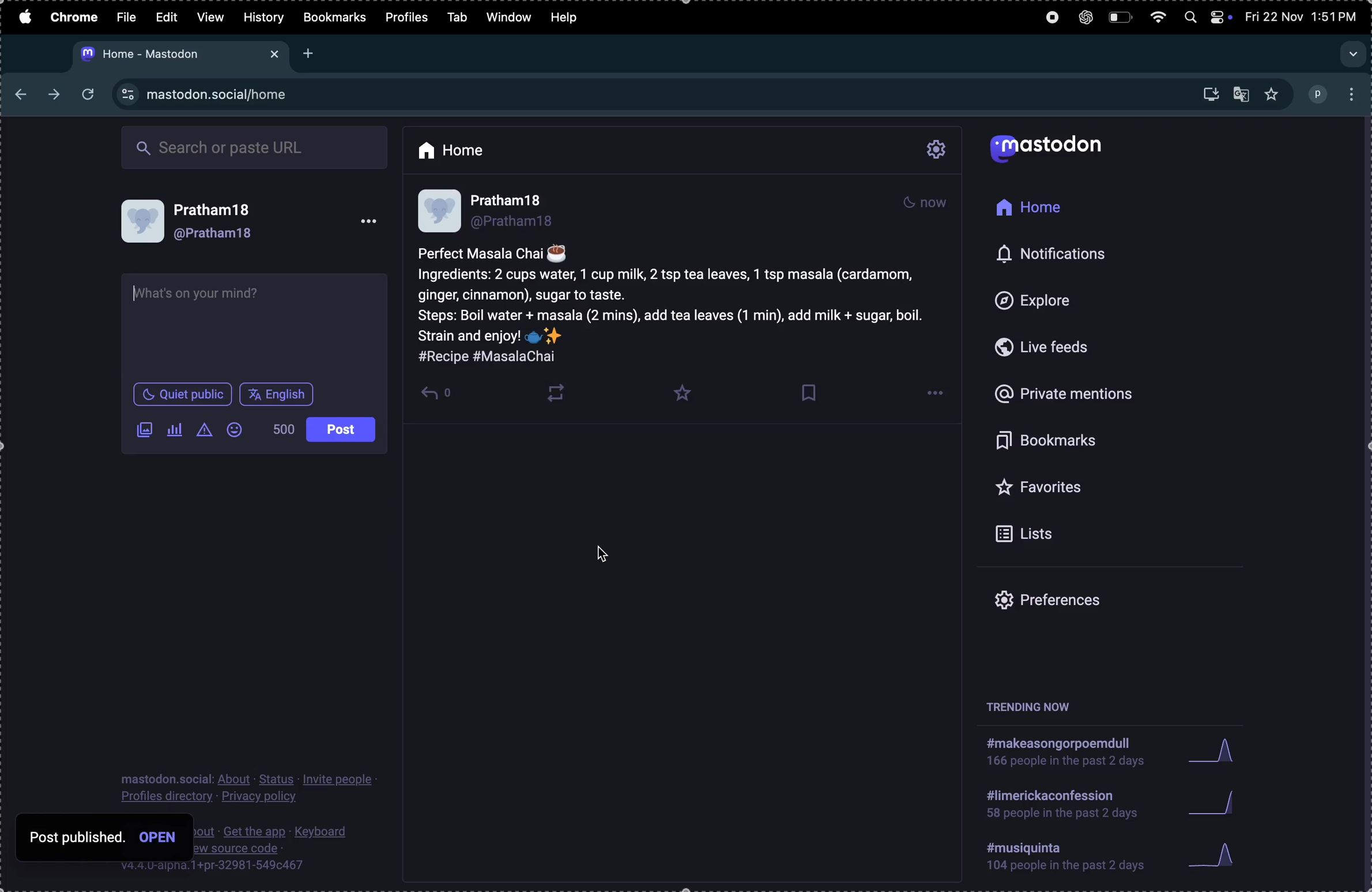  I want to click on graphs, so click(1234, 802).